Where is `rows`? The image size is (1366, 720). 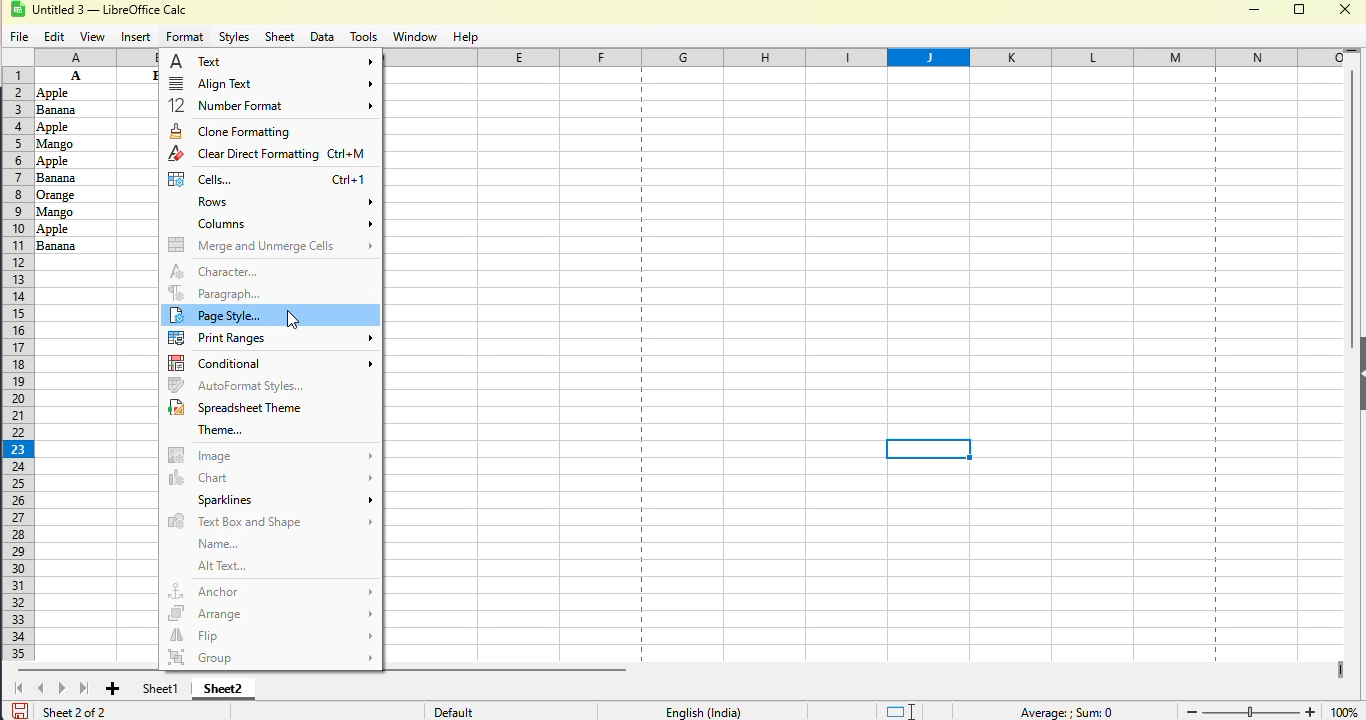
rows is located at coordinates (283, 203).